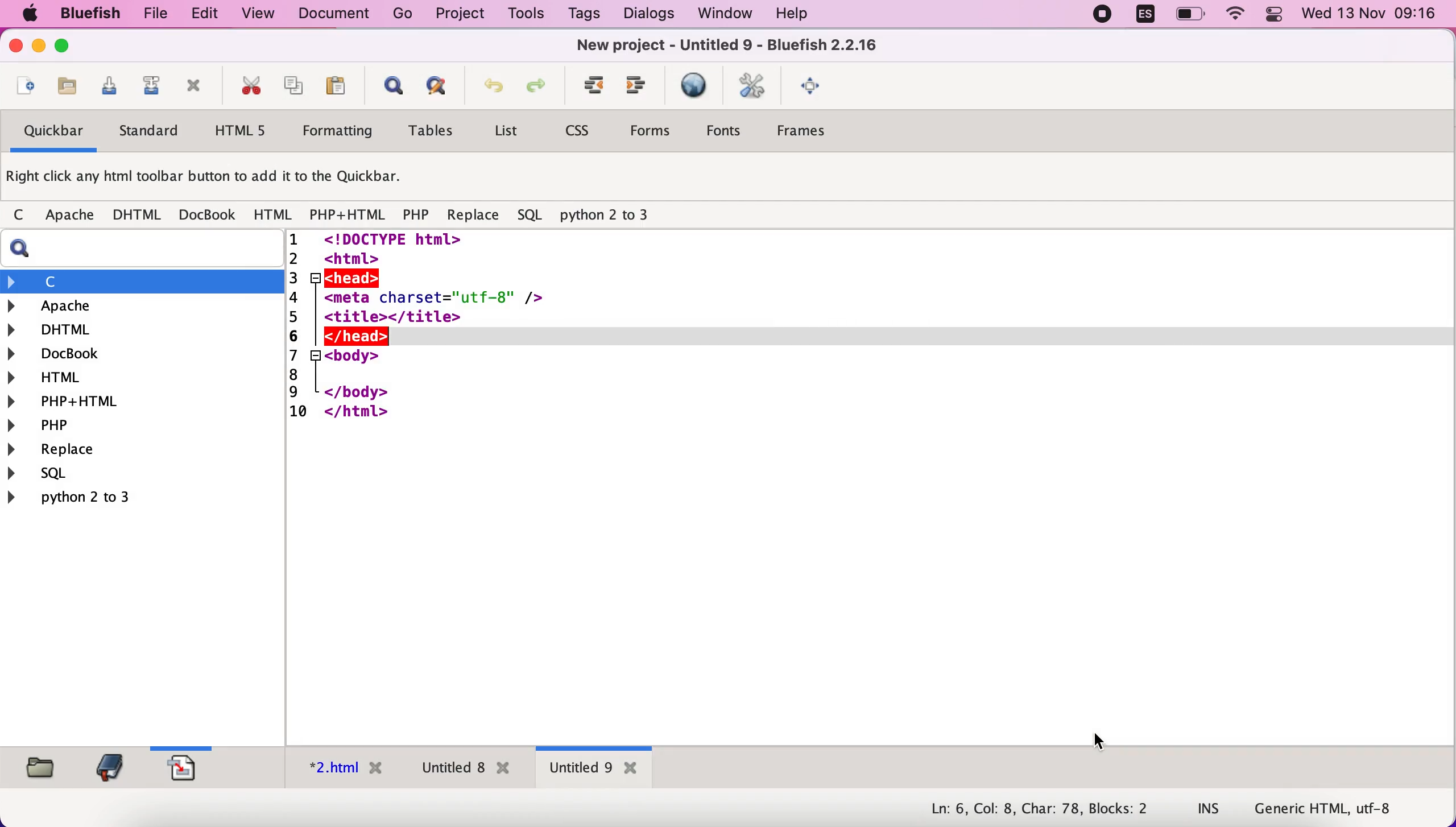 Image resolution: width=1456 pixels, height=827 pixels. What do you see at coordinates (143, 376) in the screenshot?
I see `html` at bounding box center [143, 376].